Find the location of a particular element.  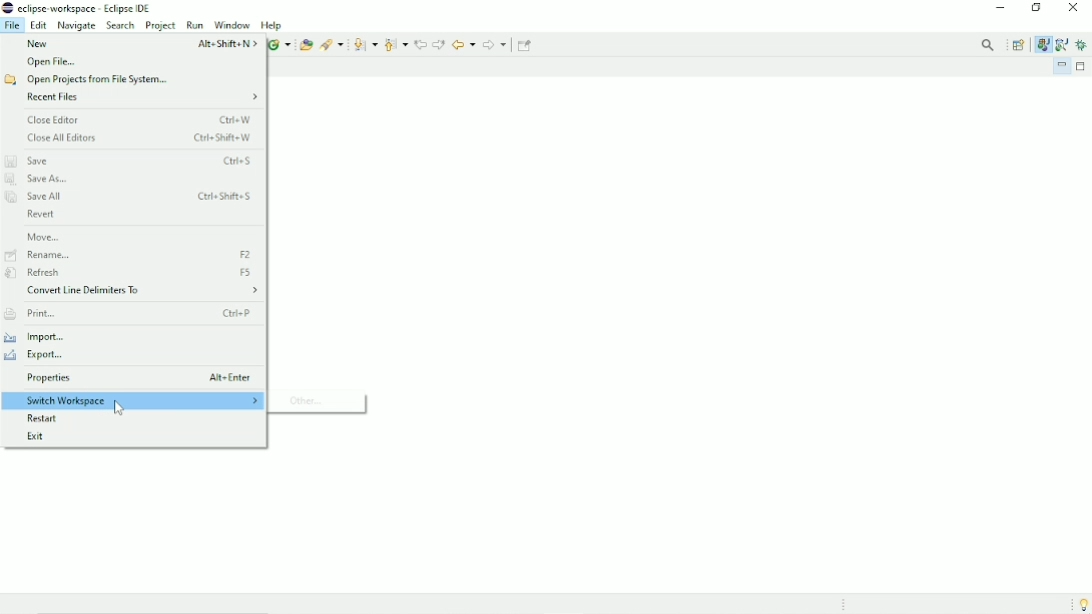

Exit is located at coordinates (41, 435).